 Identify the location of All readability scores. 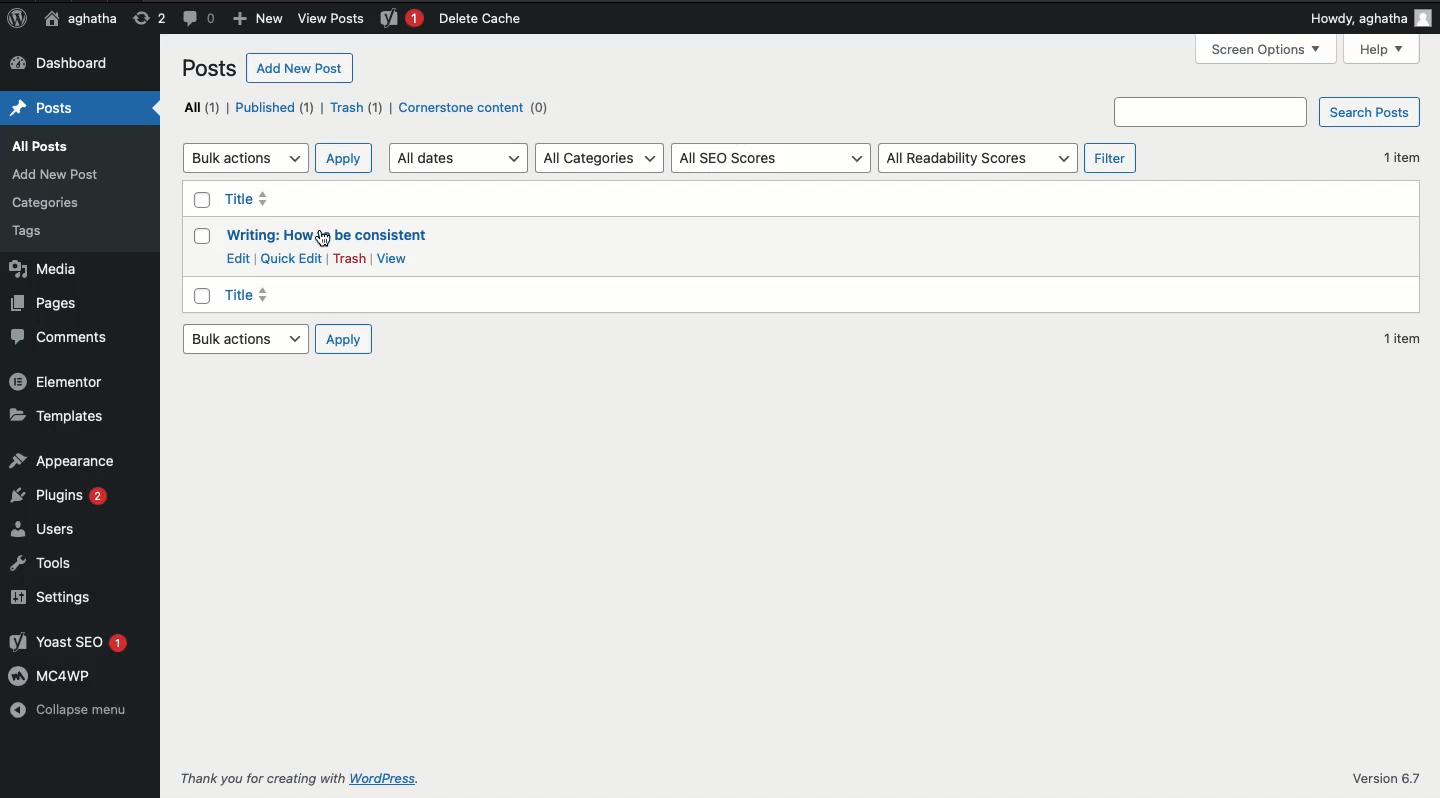
(977, 158).